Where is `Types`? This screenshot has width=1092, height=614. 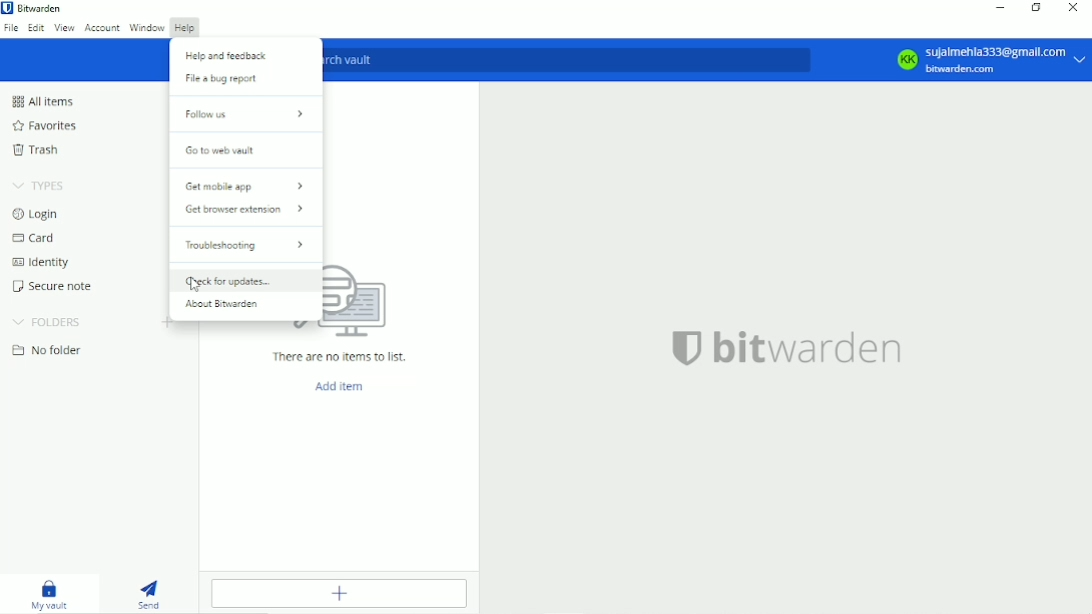 Types is located at coordinates (36, 184).